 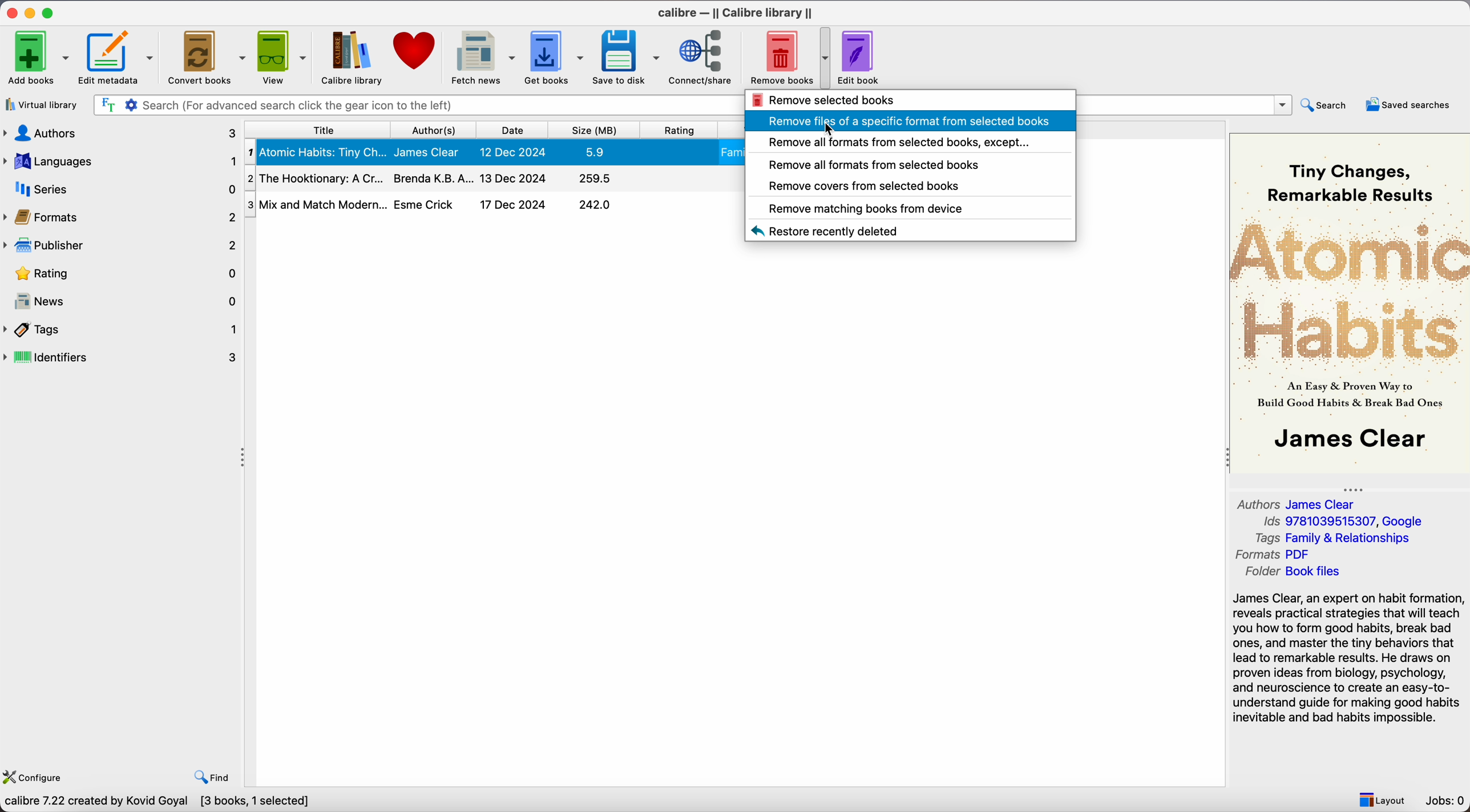 I want to click on edit book, so click(x=862, y=56).